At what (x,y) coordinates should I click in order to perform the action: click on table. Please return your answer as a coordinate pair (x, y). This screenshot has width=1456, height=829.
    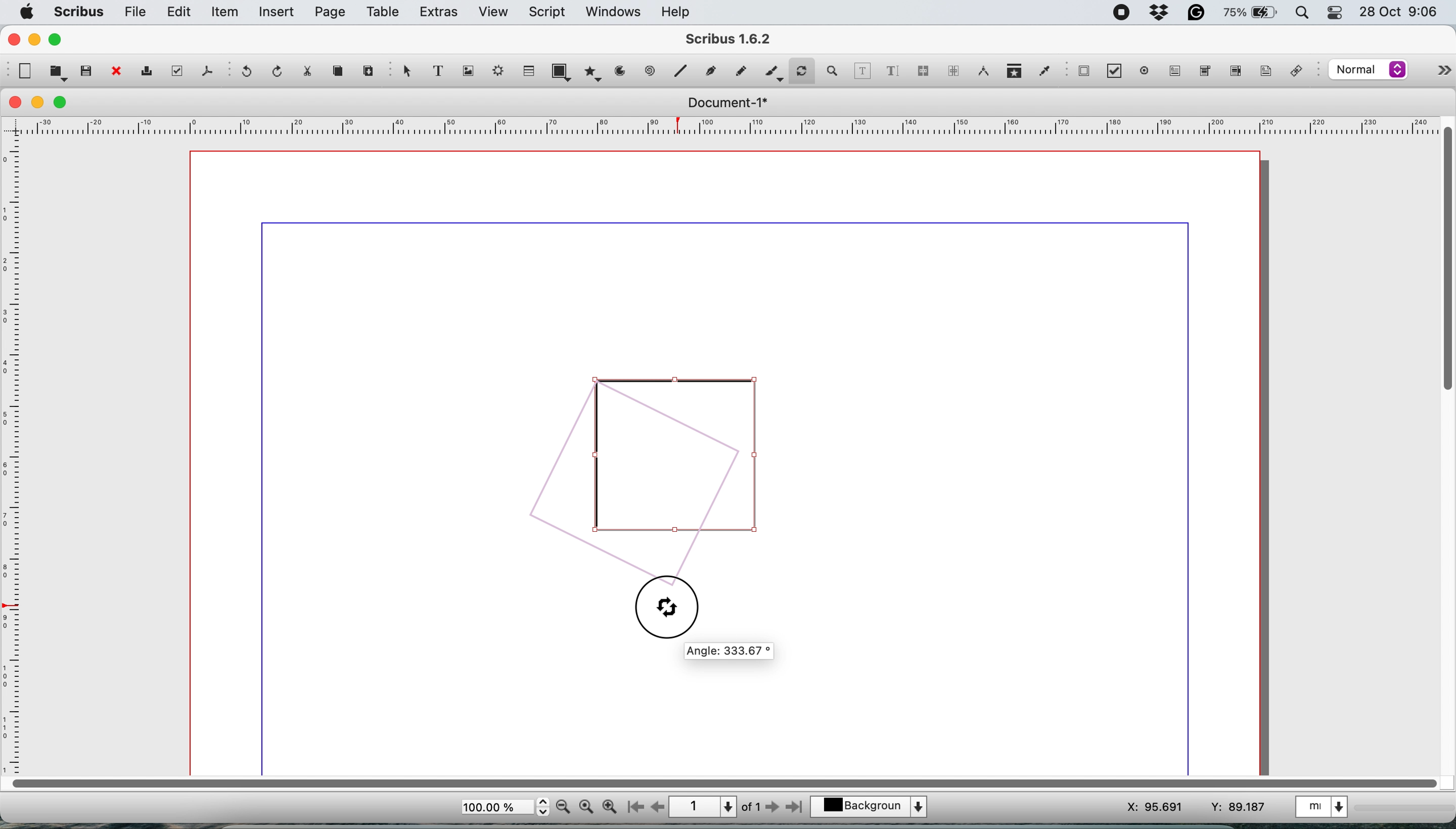
    Looking at the image, I should click on (530, 72).